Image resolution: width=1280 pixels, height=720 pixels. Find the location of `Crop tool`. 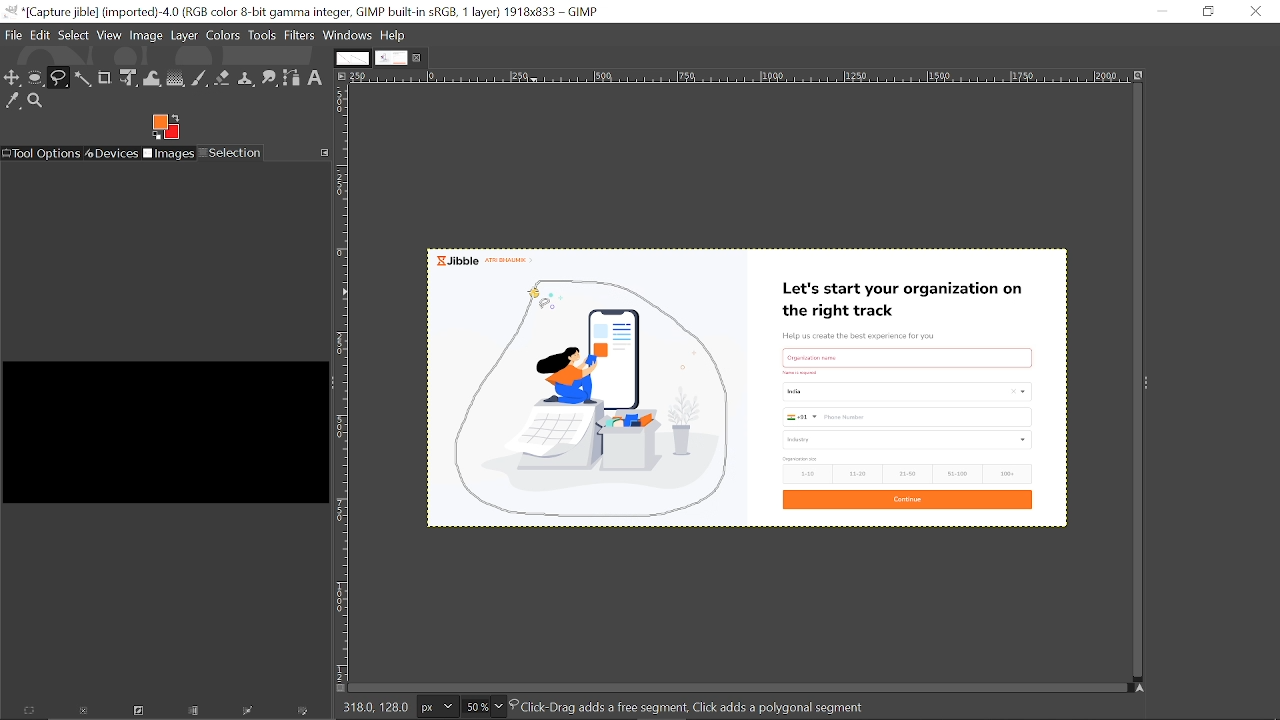

Crop tool is located at coordinates (104, 78).